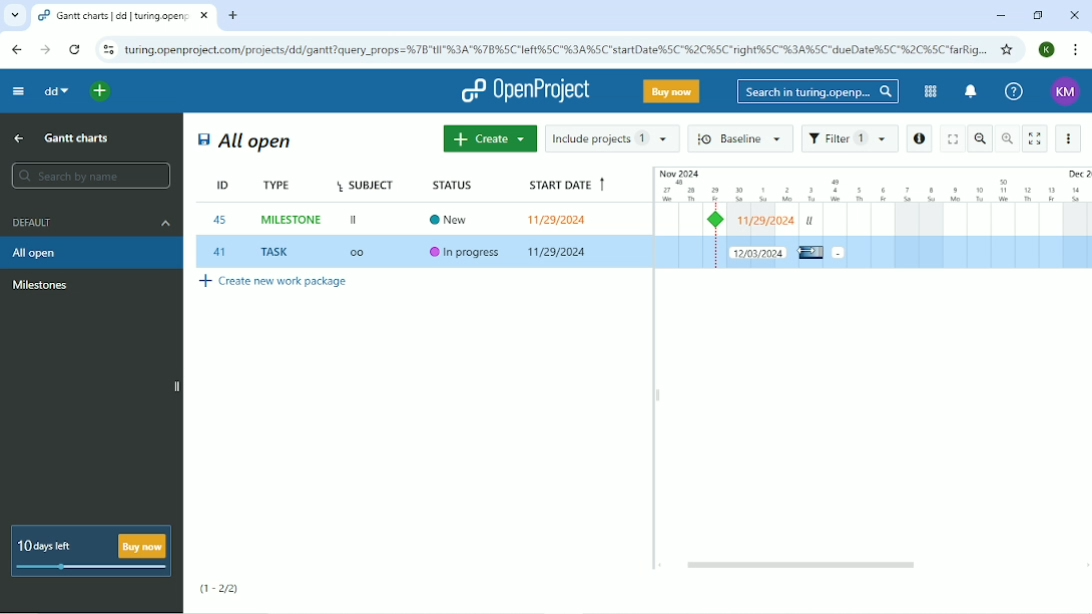  Describe the element at coordinates (810, 221) in the screenshot. I see `ll` at that location.